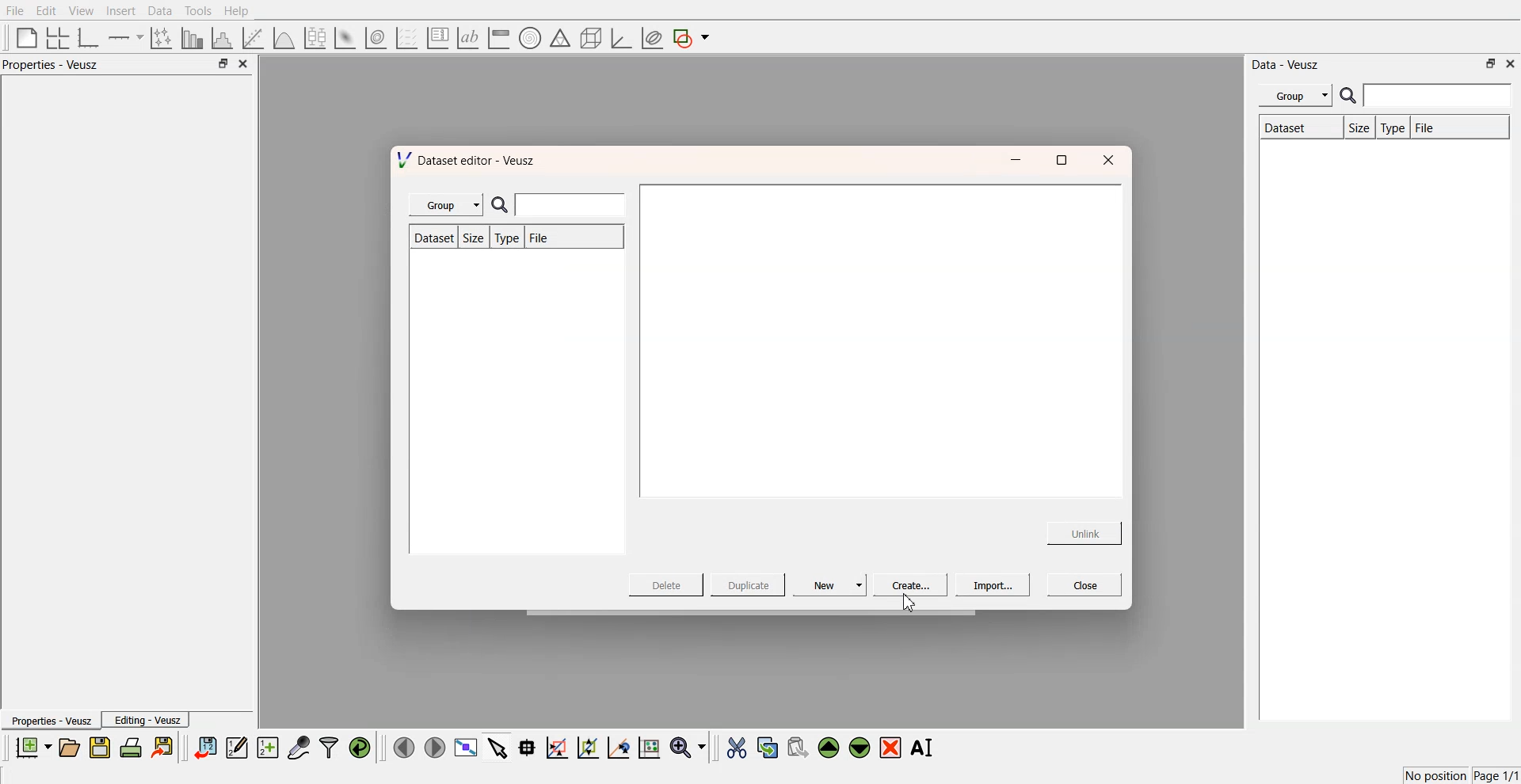  Describe the element at coordinates (32, 747) in the screenshot. I see `new documents` at that location.